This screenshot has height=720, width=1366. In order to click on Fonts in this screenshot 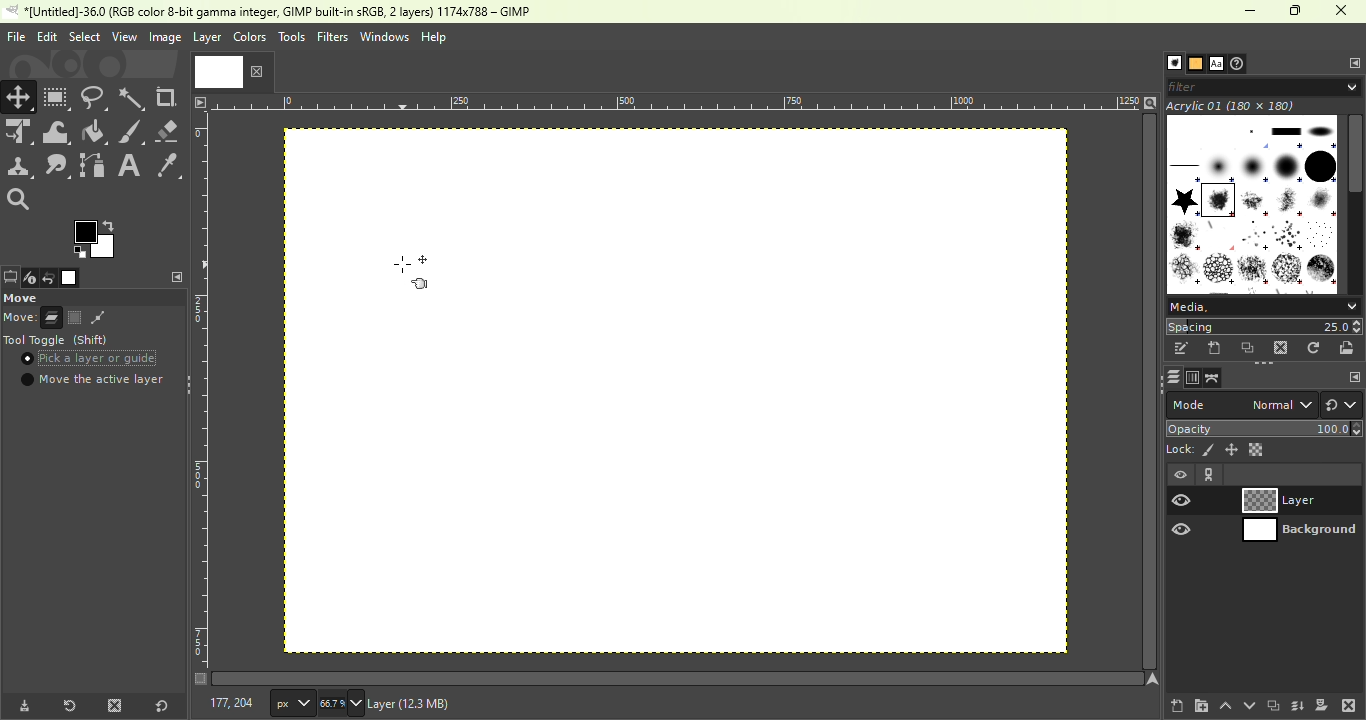, I will do `click(1216, 61)`.